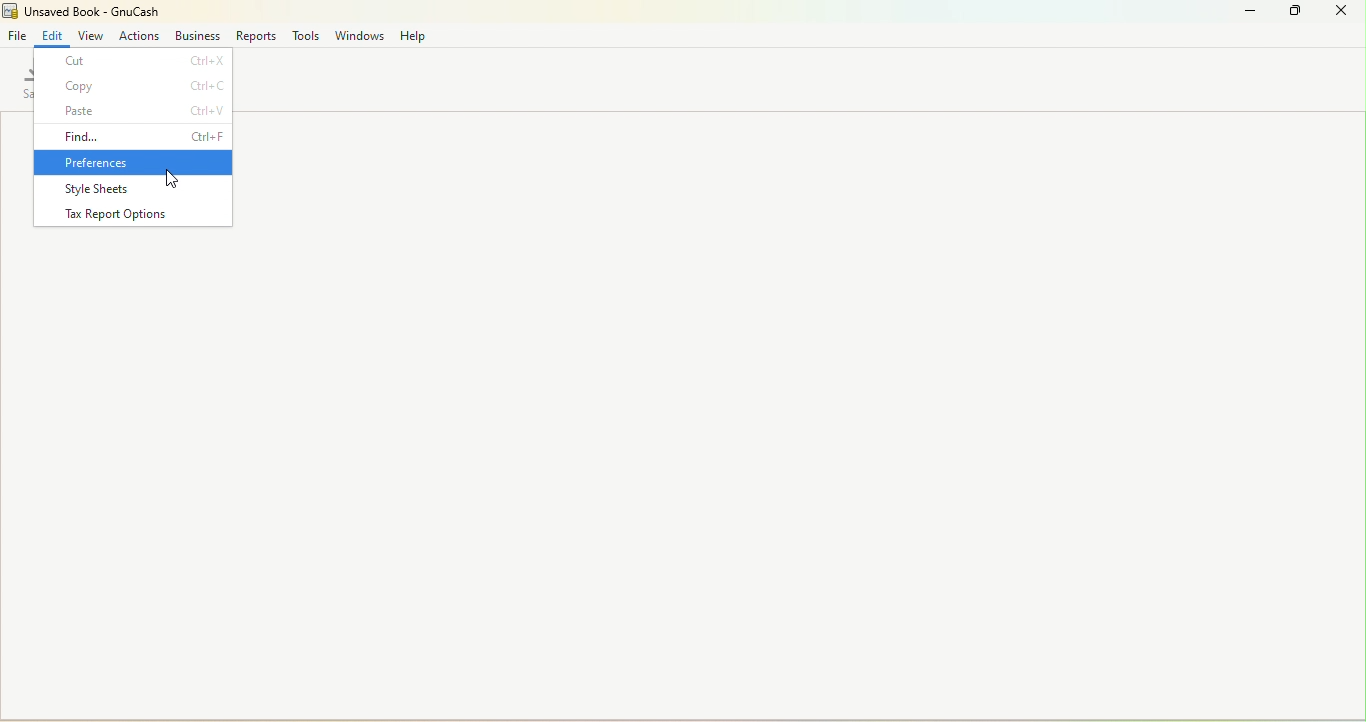  What do you see at coordinates (132, 188) in the screenshot?
I see `Style sheets` at bounding box center [132, 188].